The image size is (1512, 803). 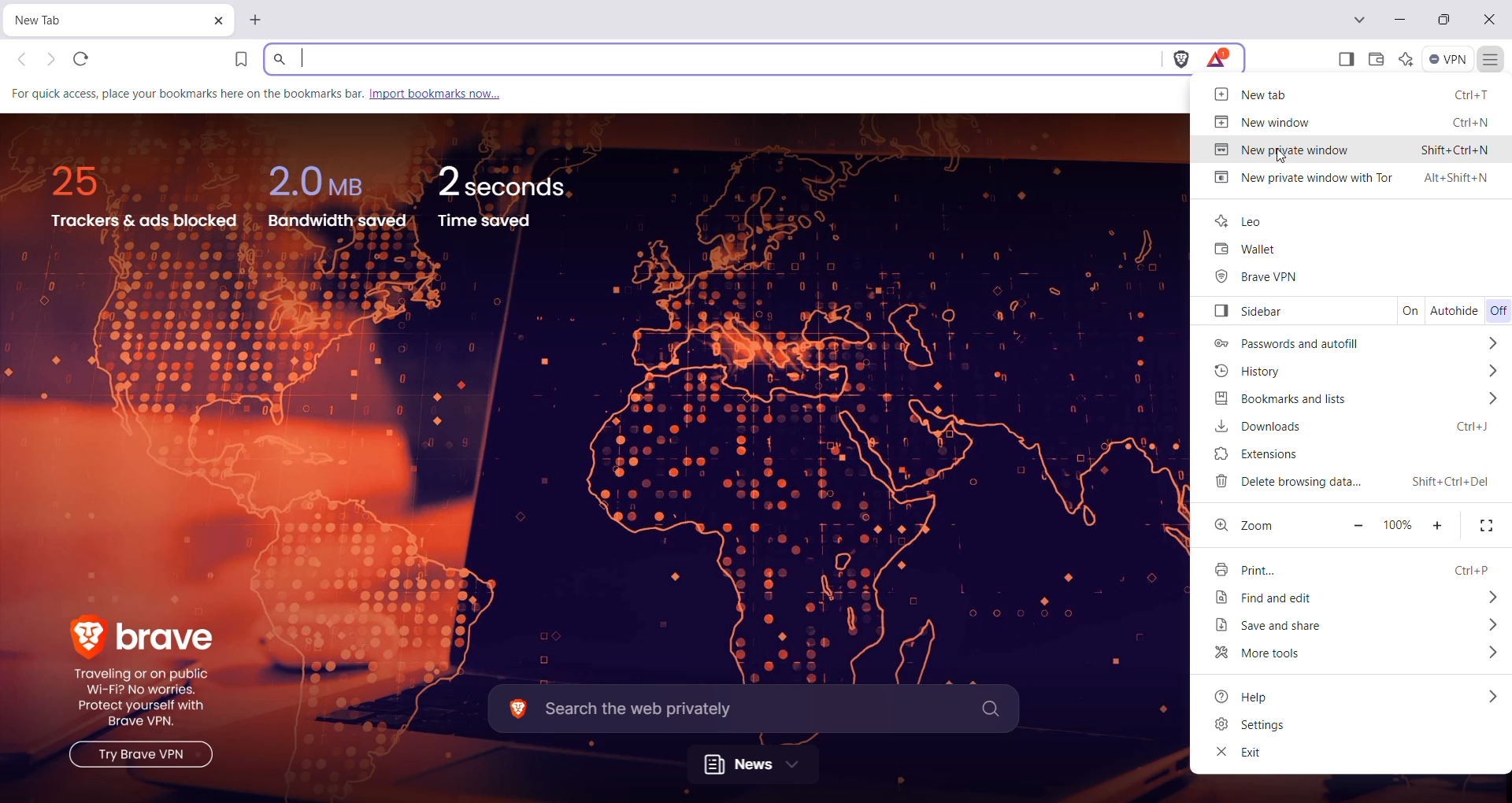 I want to click on Help, so click(x=1244, y=695).